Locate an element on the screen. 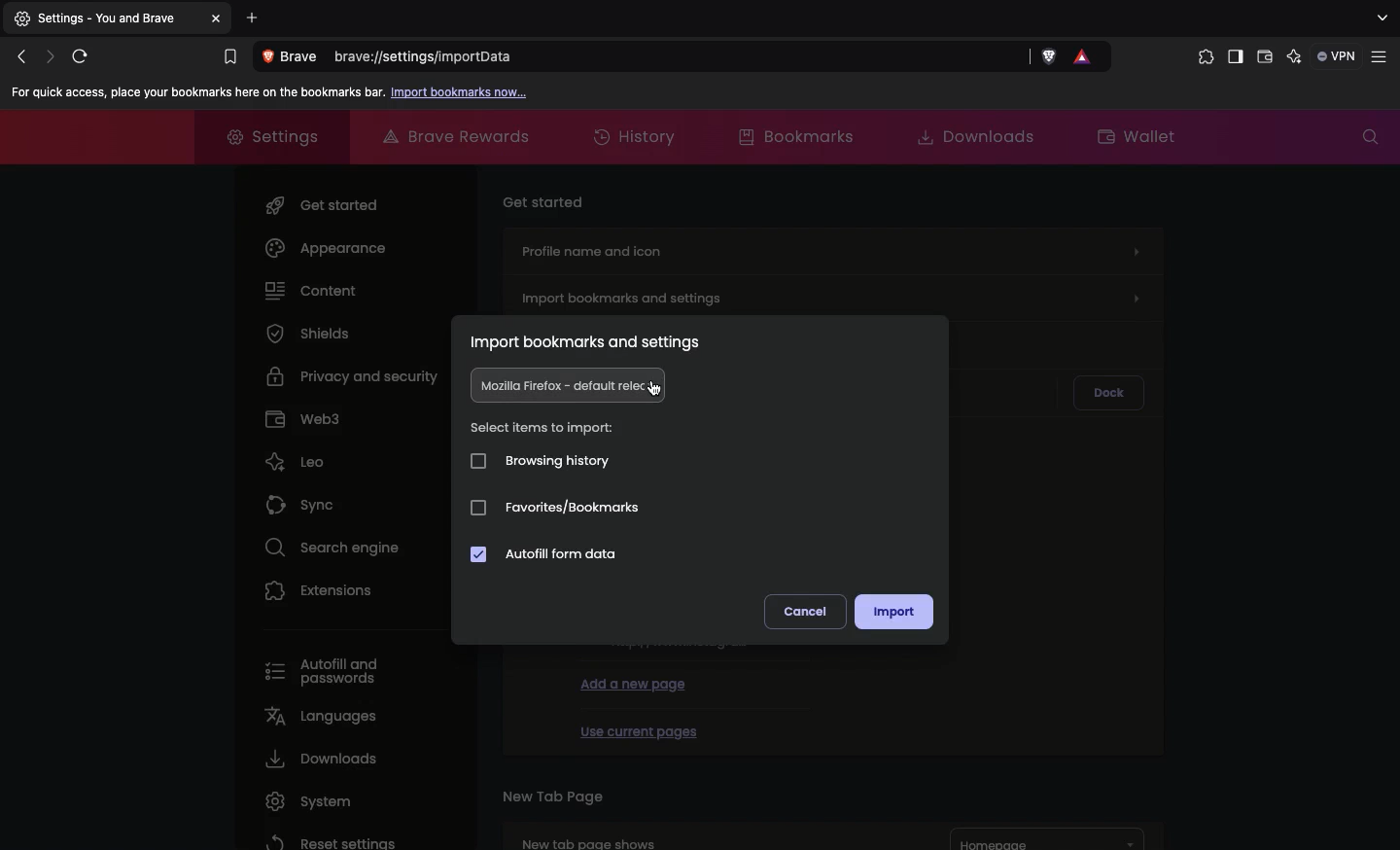 This screenshot has height=850, width=1400. Use current pages is located at coordinates (638, 728).